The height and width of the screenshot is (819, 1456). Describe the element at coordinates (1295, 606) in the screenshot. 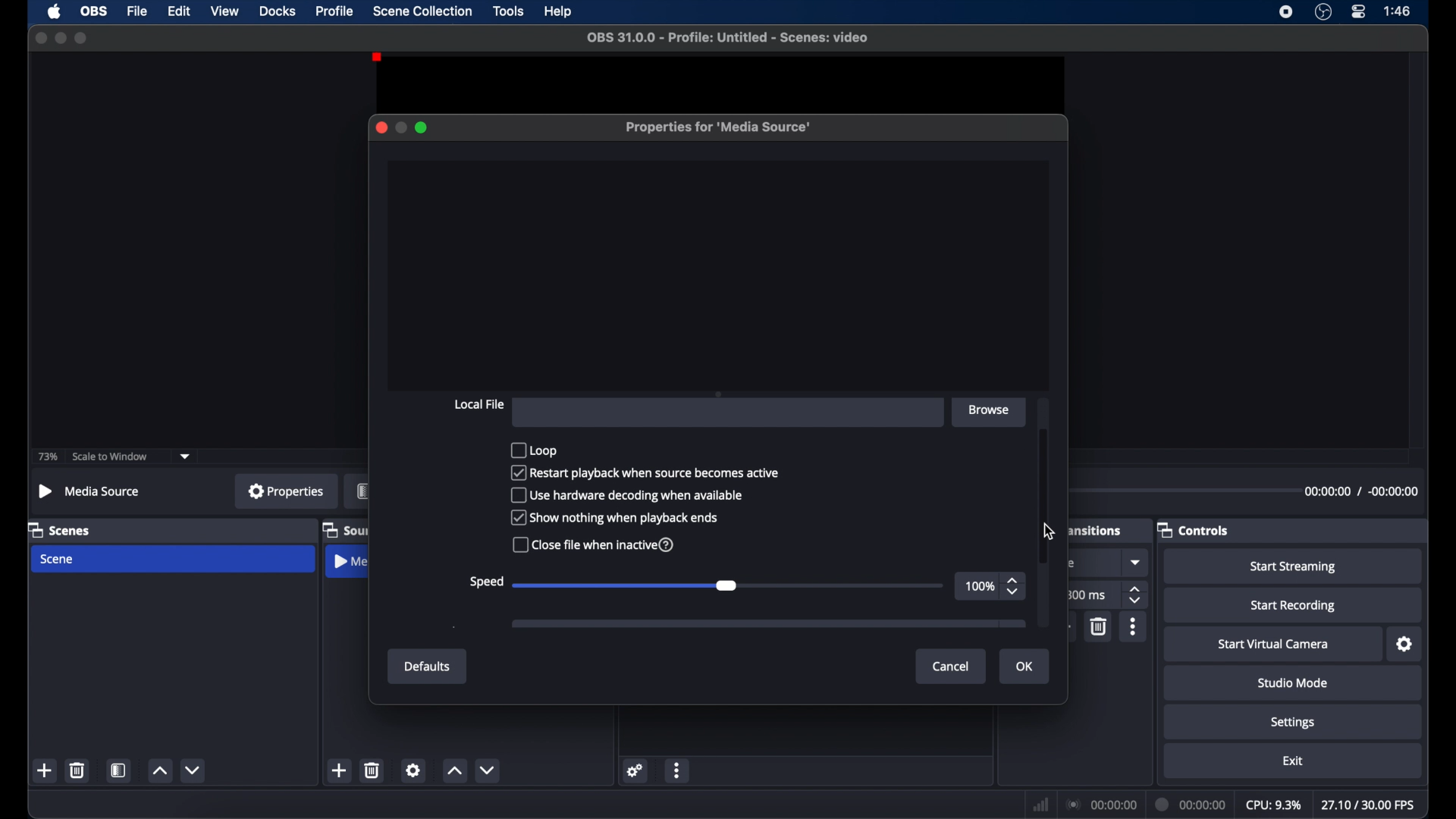

I see `start recording` at that location.